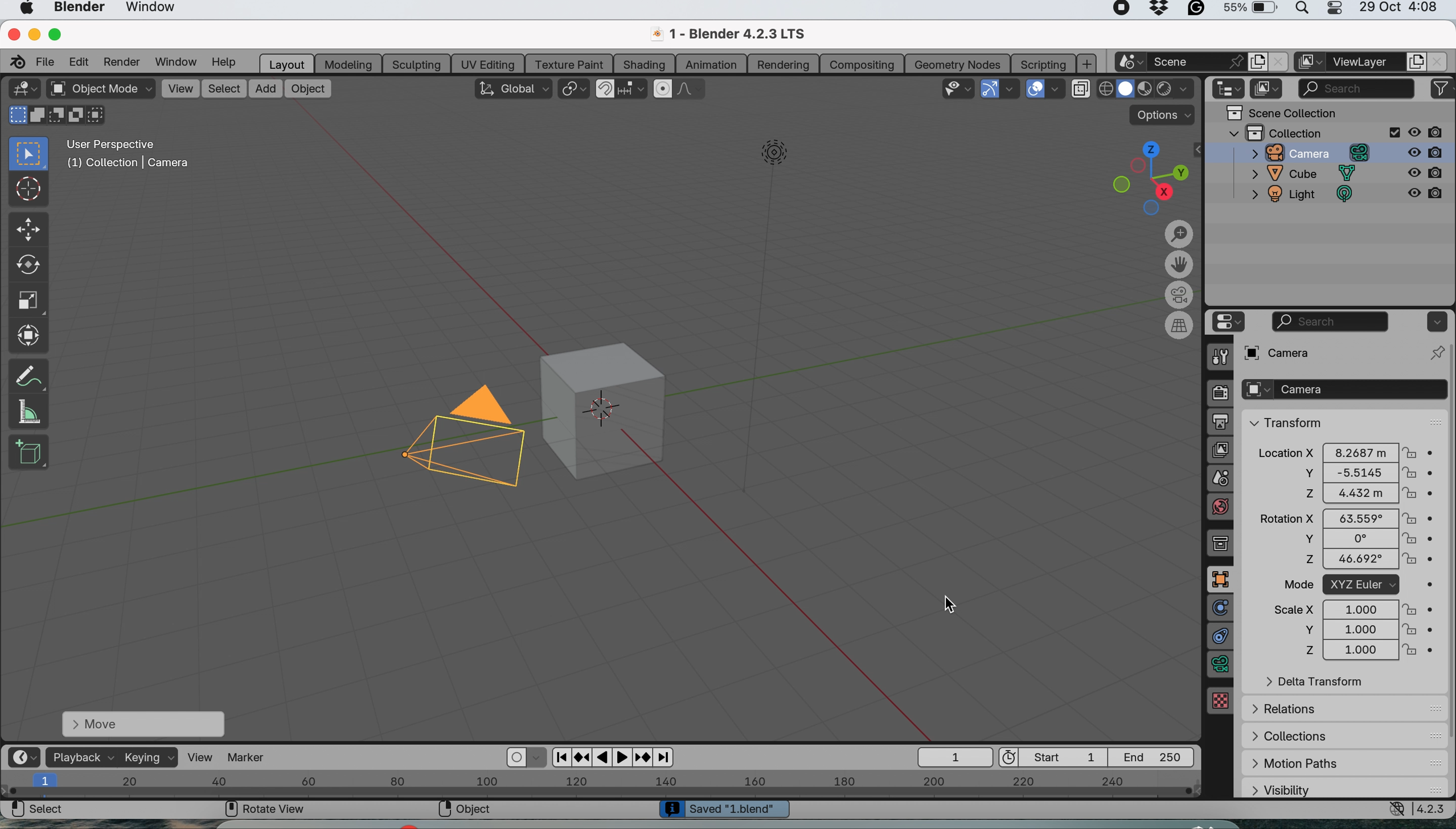 The width and height of the screenshot is (1456, 829). I want to click on uv editing, so click(491, 63).